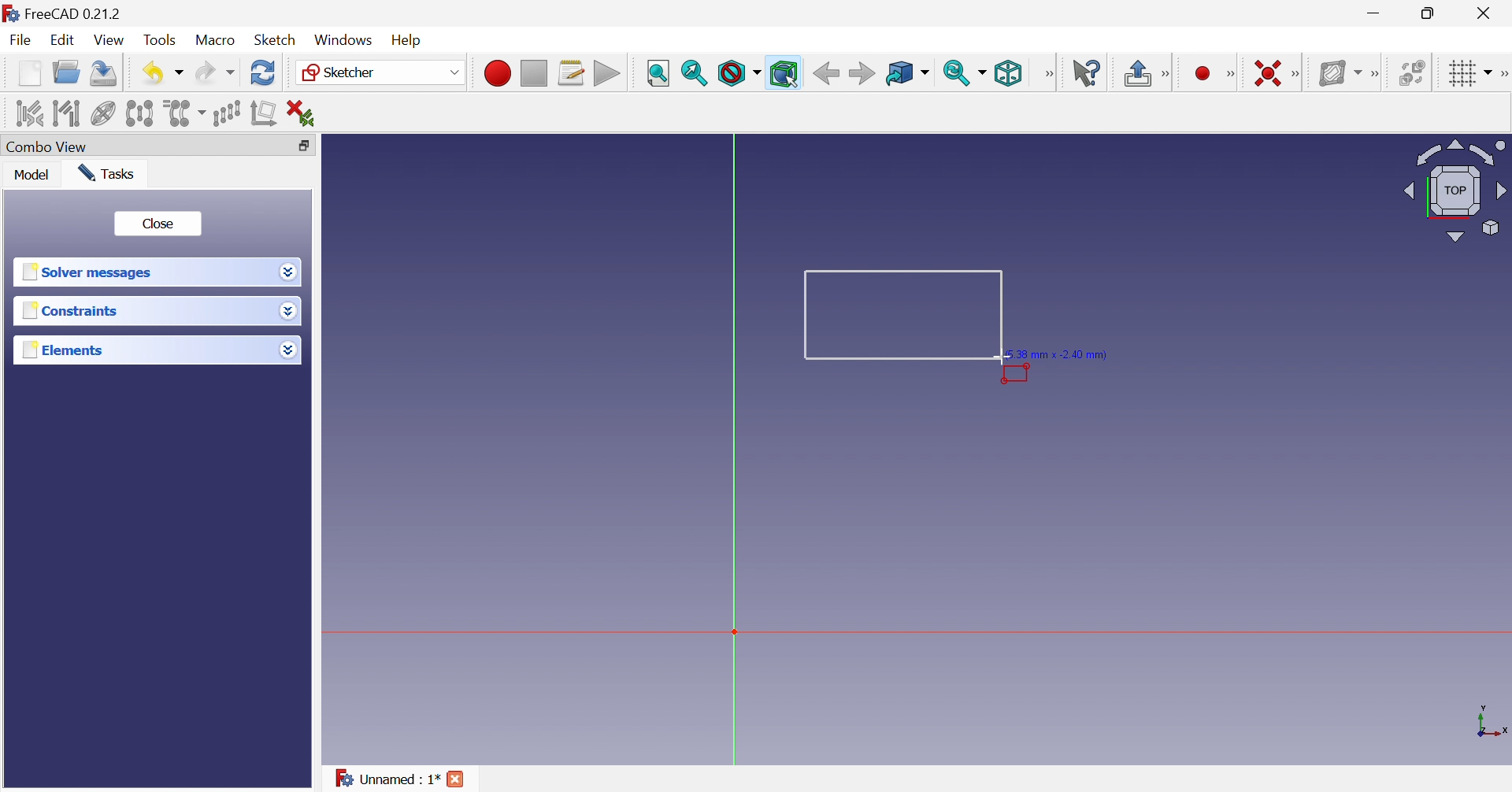  What do you see at coordinates (1167, 73) in the screenshot?
I see `Sketcher edit mode` at bounding box center [1167, 73].